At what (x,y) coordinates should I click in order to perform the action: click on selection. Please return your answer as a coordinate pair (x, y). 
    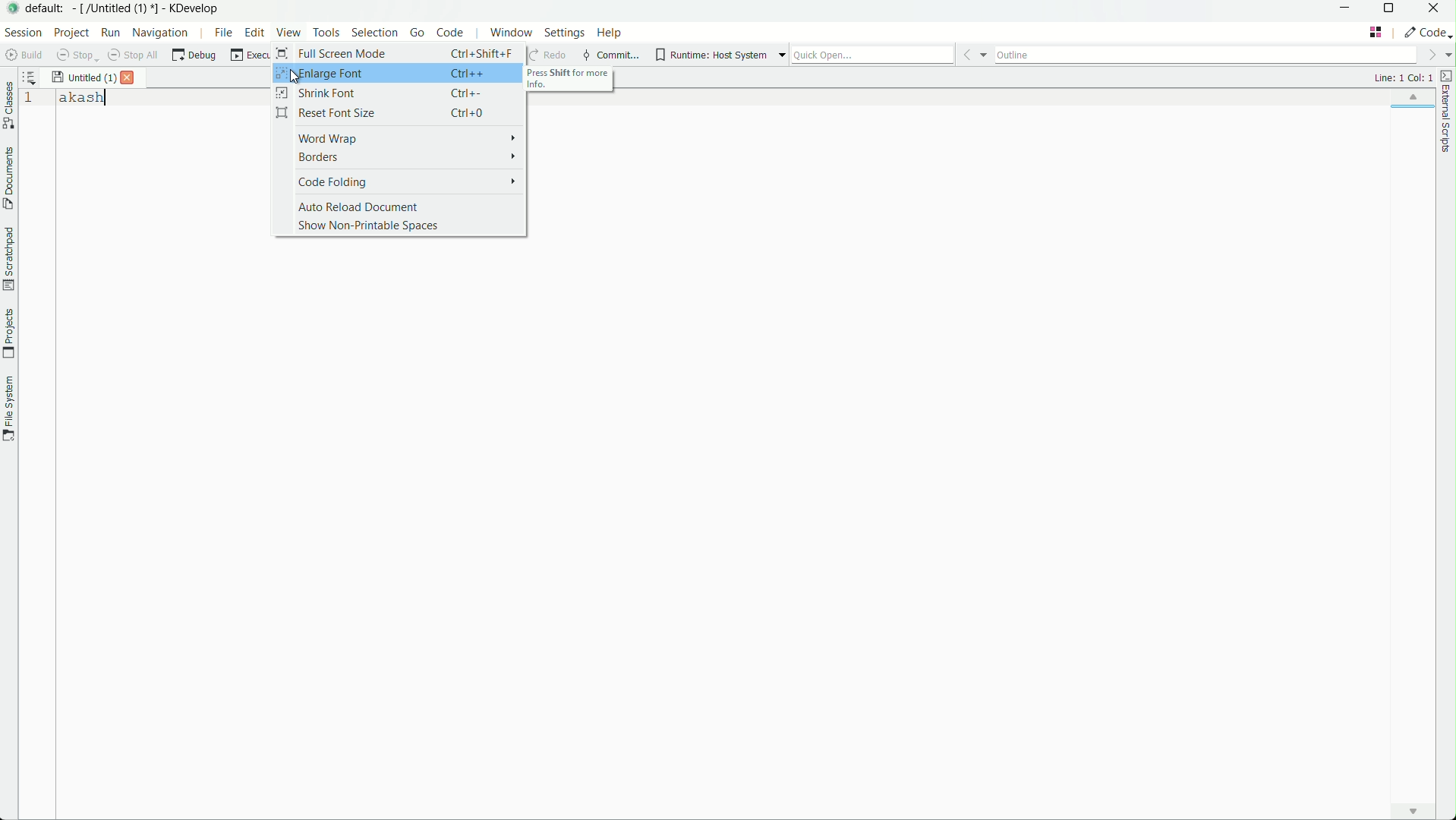
    Looking at the image, I should click on (375, 32).